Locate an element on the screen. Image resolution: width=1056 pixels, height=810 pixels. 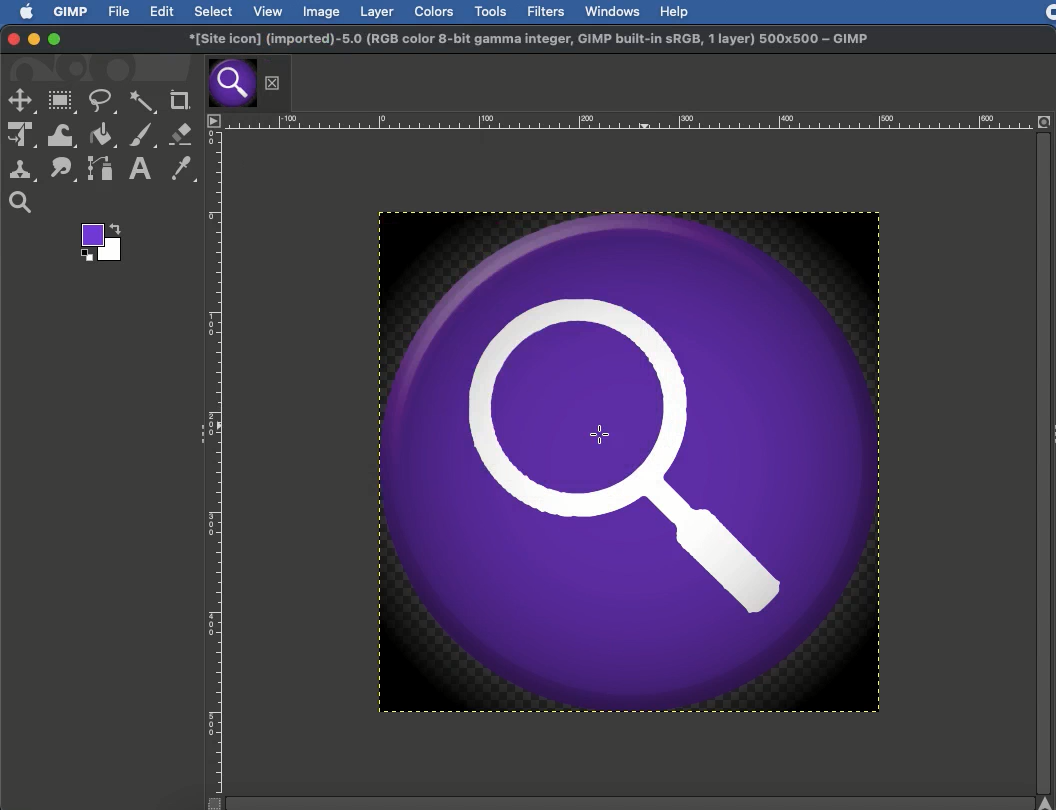
Edit is located at coordinates (163, 12).